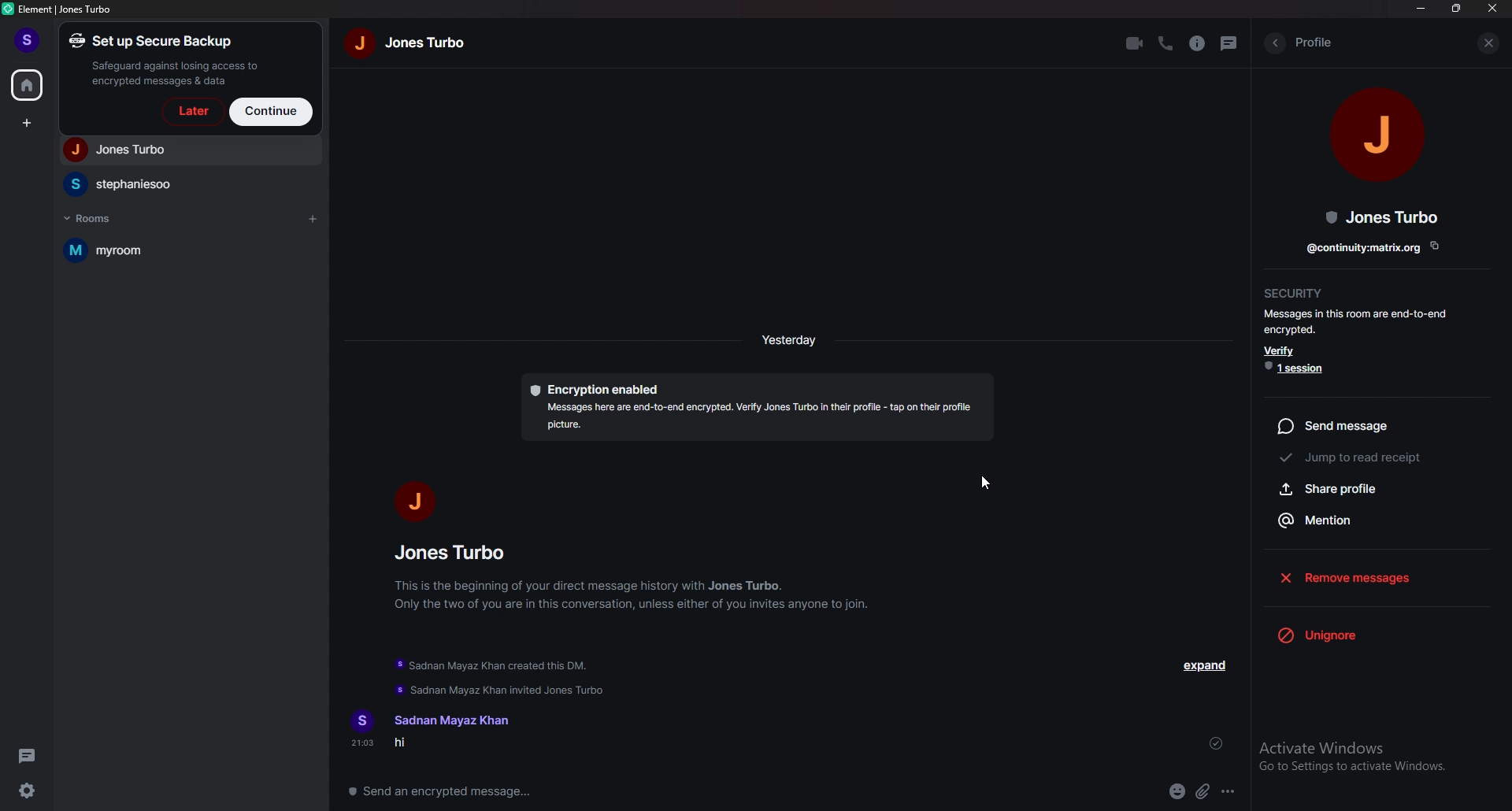 The height and width of the screenshot is (811, 1512). Describe the element at coordinates (30, 41) in the screenshot. I see `profile` at that location.